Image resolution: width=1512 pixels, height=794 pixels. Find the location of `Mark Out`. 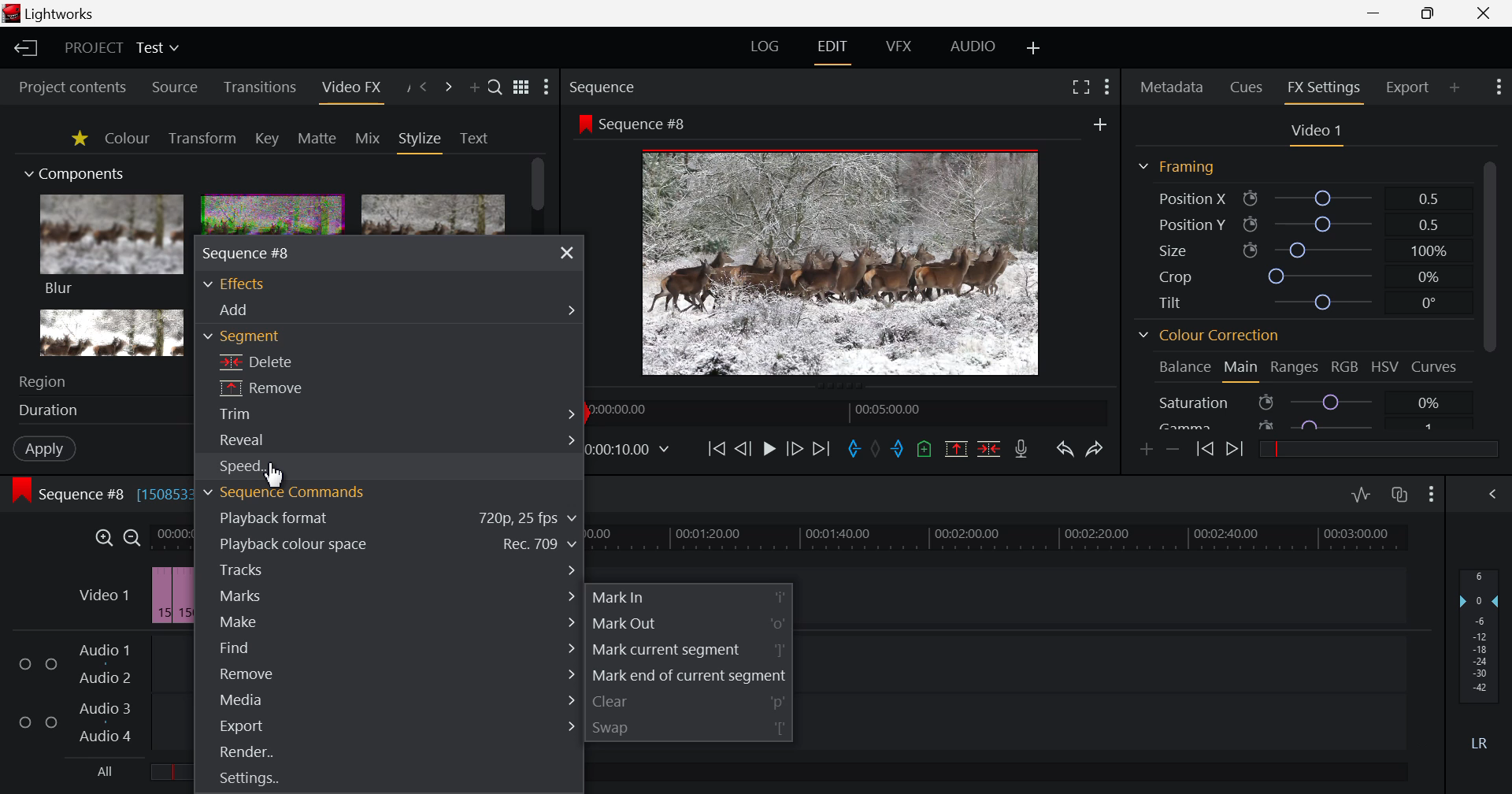

Mark Out is located at coordinates (902, 451).